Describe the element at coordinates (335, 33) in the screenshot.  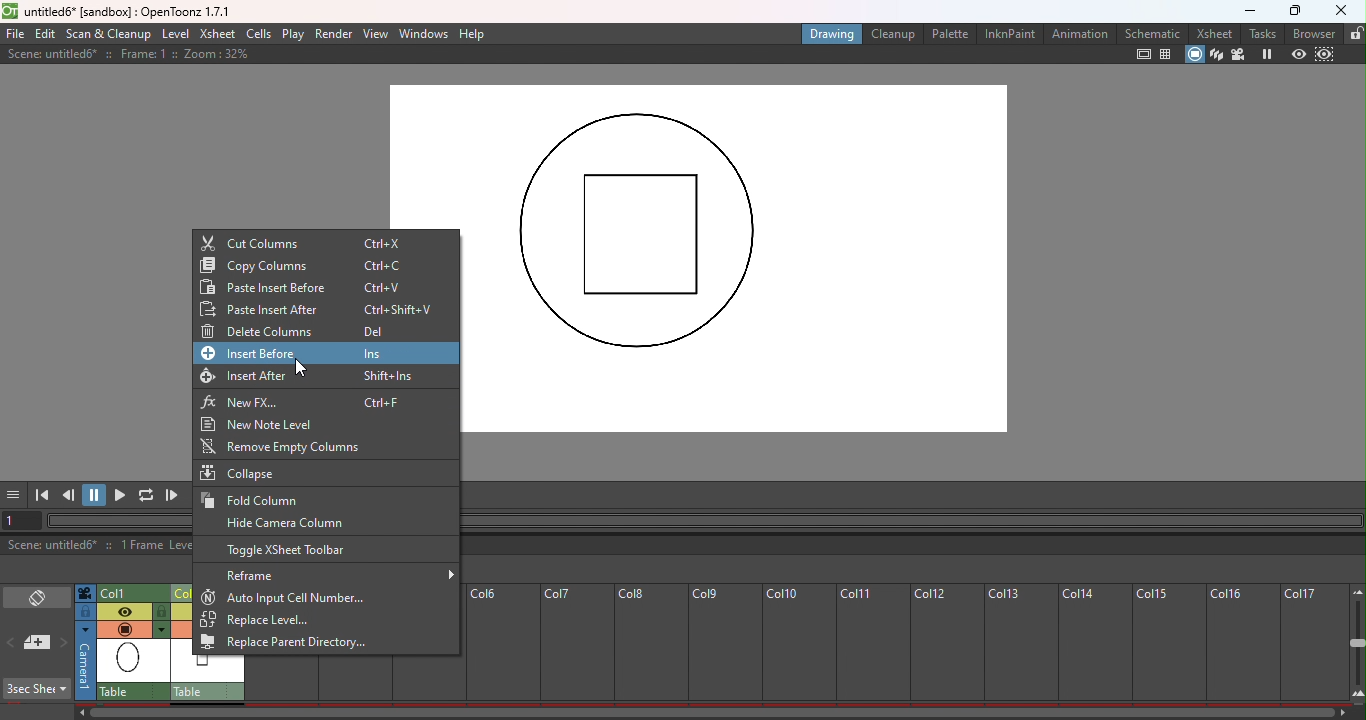
I see `Render` at that location.